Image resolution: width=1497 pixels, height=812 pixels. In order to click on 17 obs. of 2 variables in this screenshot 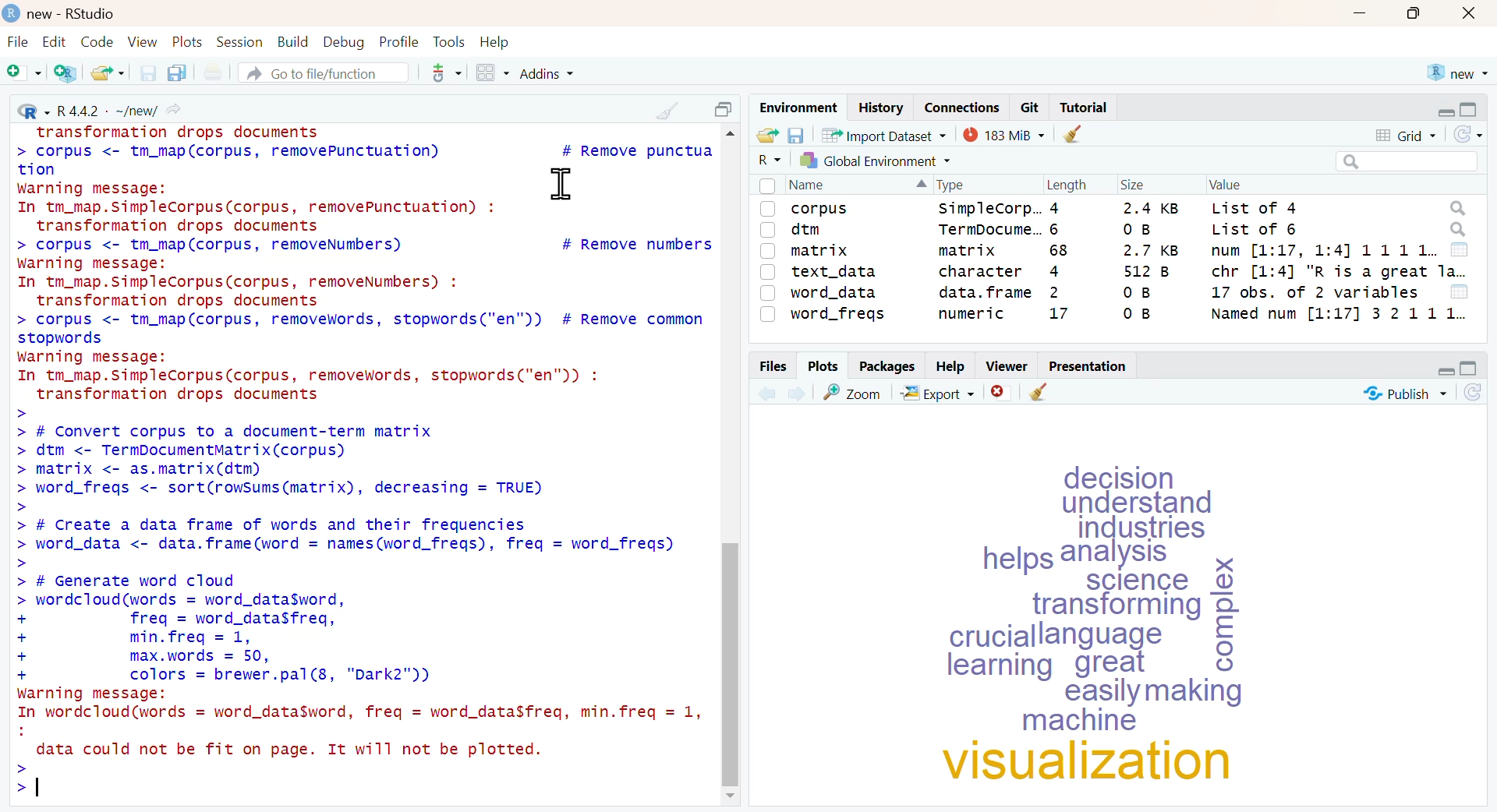, I will do `click(1314, 291)`.